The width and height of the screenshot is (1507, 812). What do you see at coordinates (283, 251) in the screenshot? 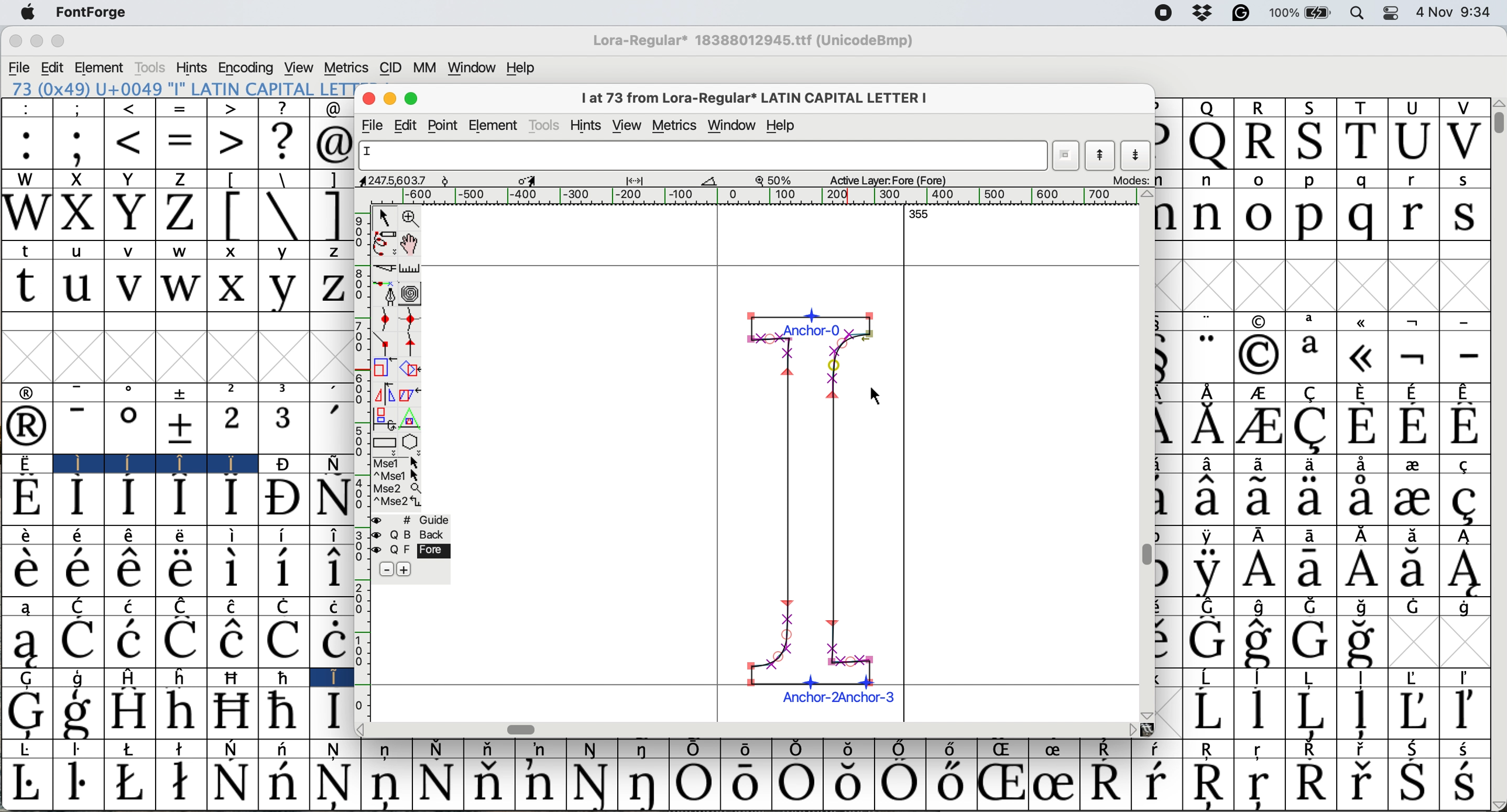
I see `y` at bounding box center [283, 251].